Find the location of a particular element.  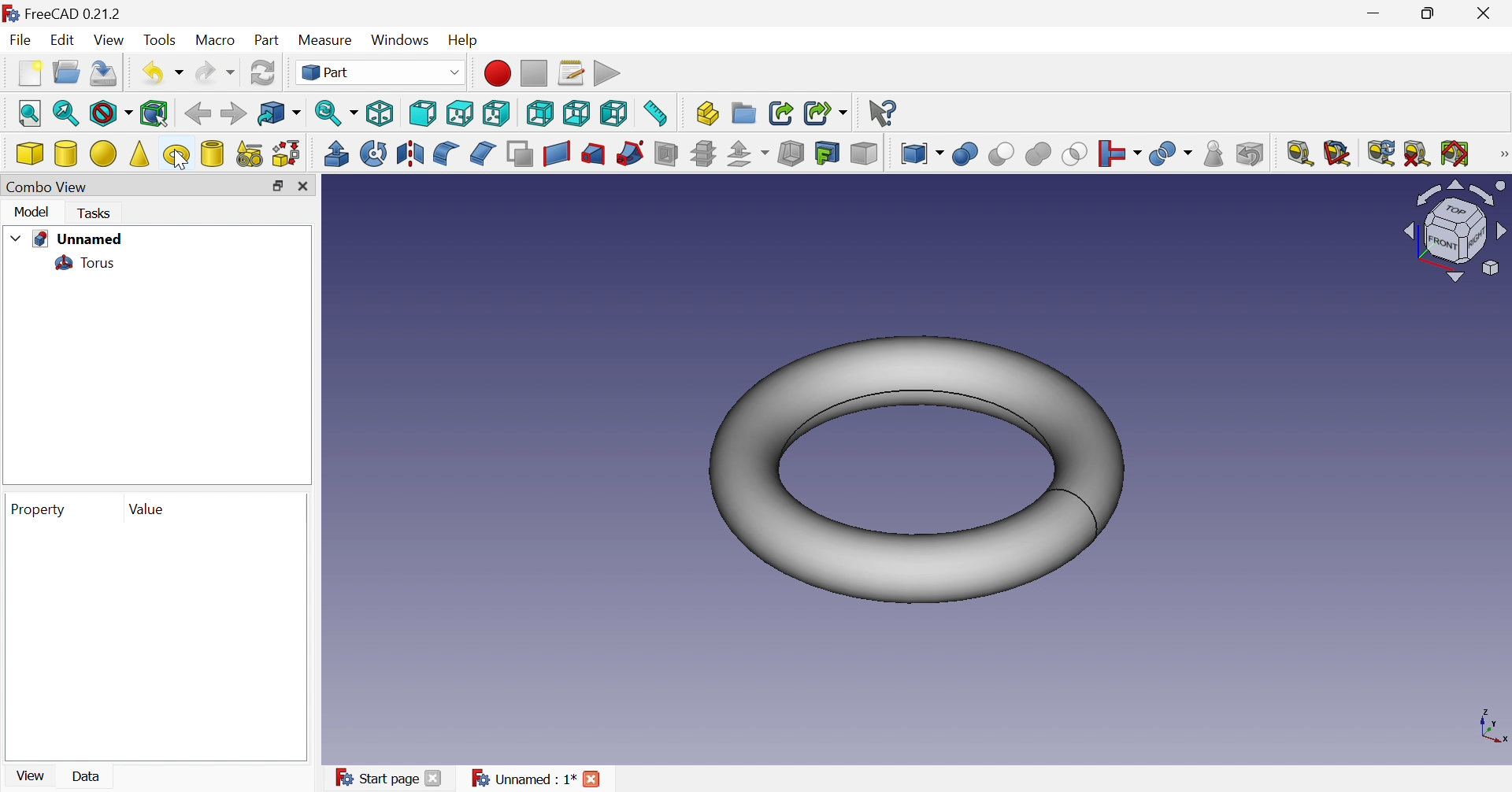

Measure liner is located at coordinates (1299, 154).